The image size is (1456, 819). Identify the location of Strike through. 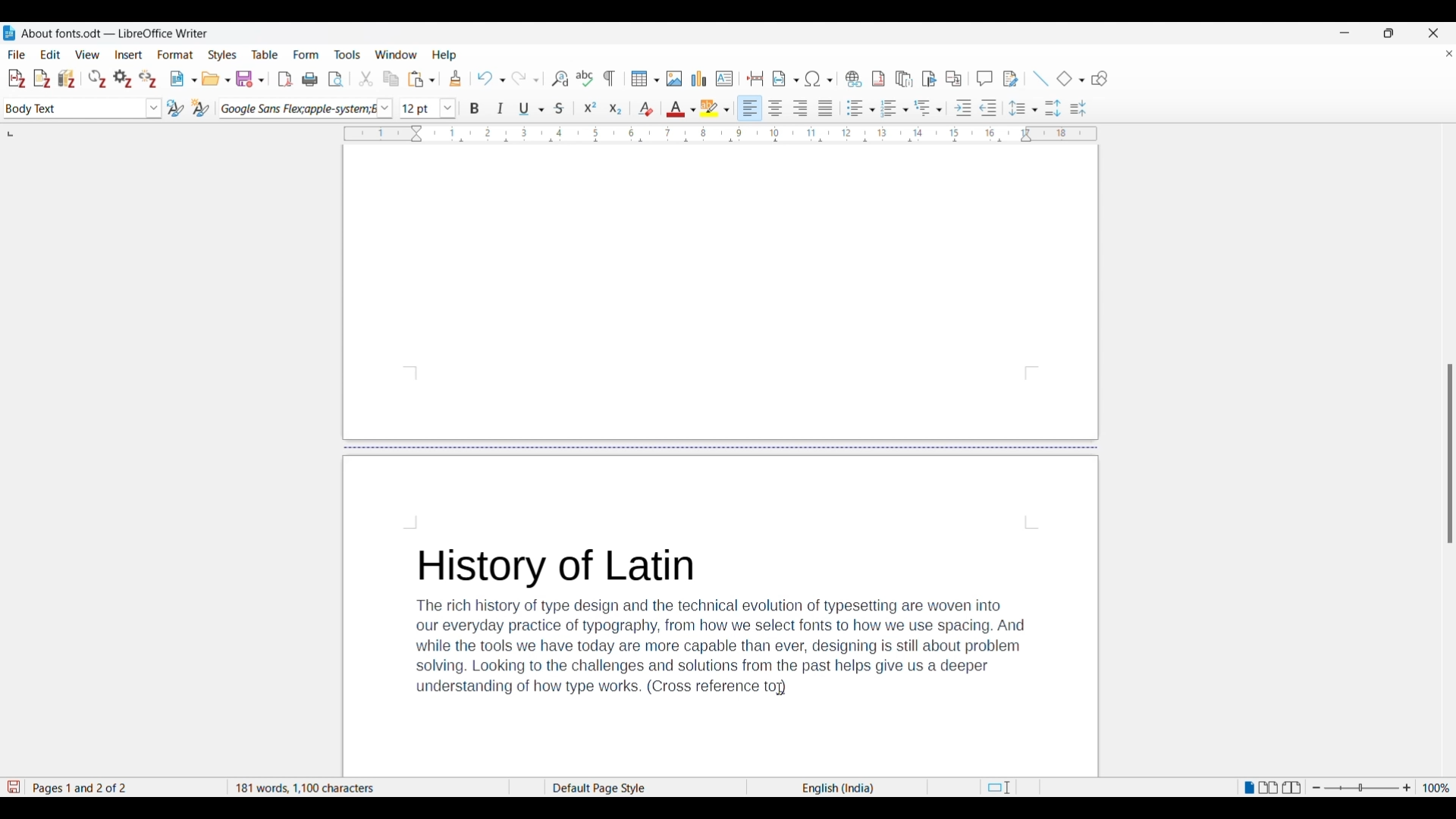
(560, 108).